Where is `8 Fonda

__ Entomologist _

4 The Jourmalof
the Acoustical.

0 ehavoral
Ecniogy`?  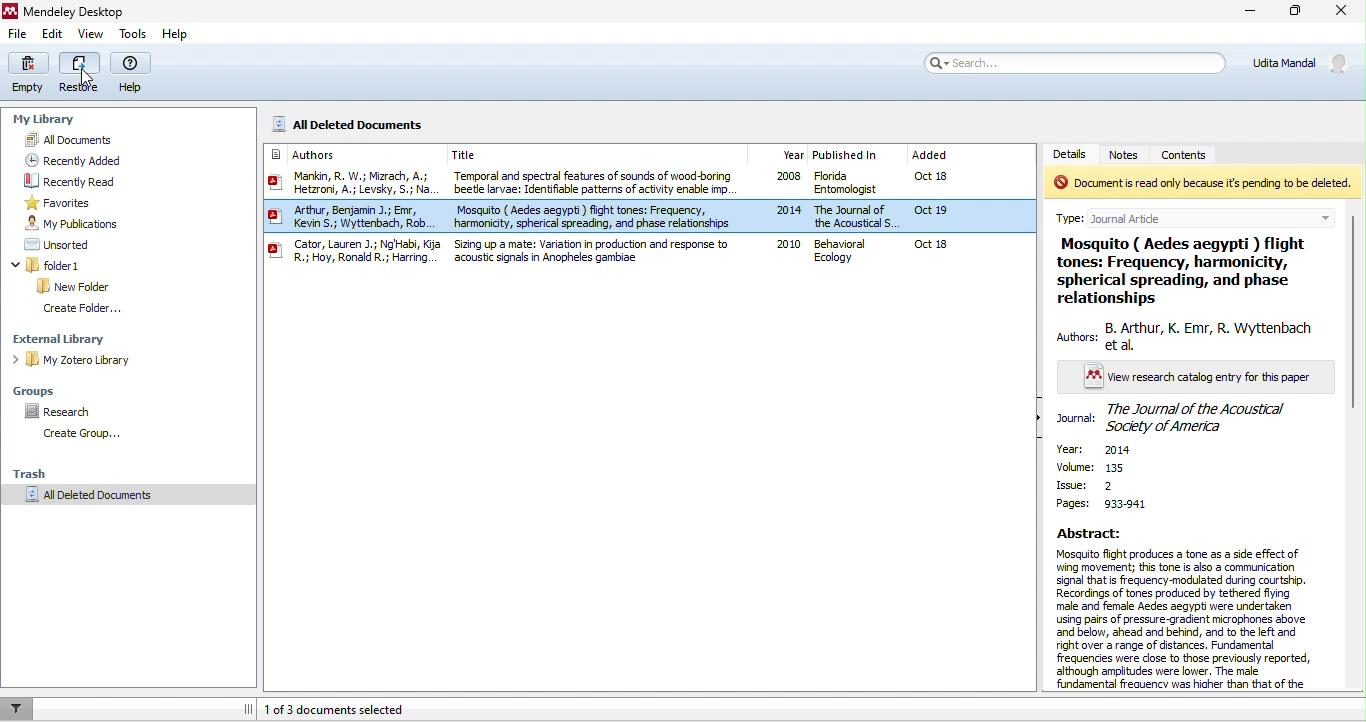 8 Fonda

__ Entomologist _

4 The Jourmalof
the Acoustical.

0 ehavoral
Ecniogy is located at coordinates (855, 218).